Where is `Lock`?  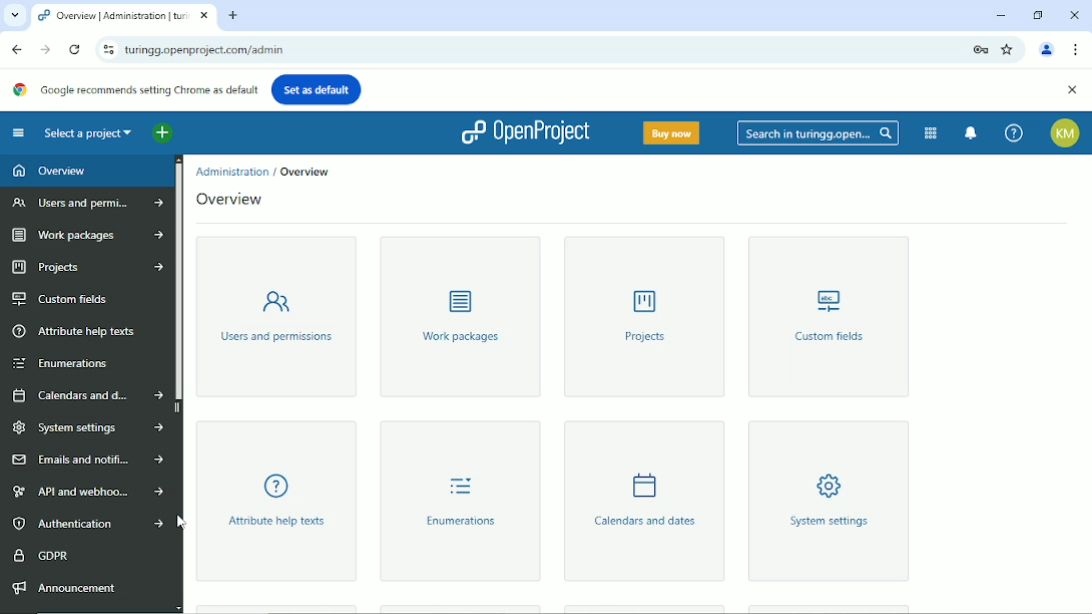
Lock is located at coordinates (980, 48).